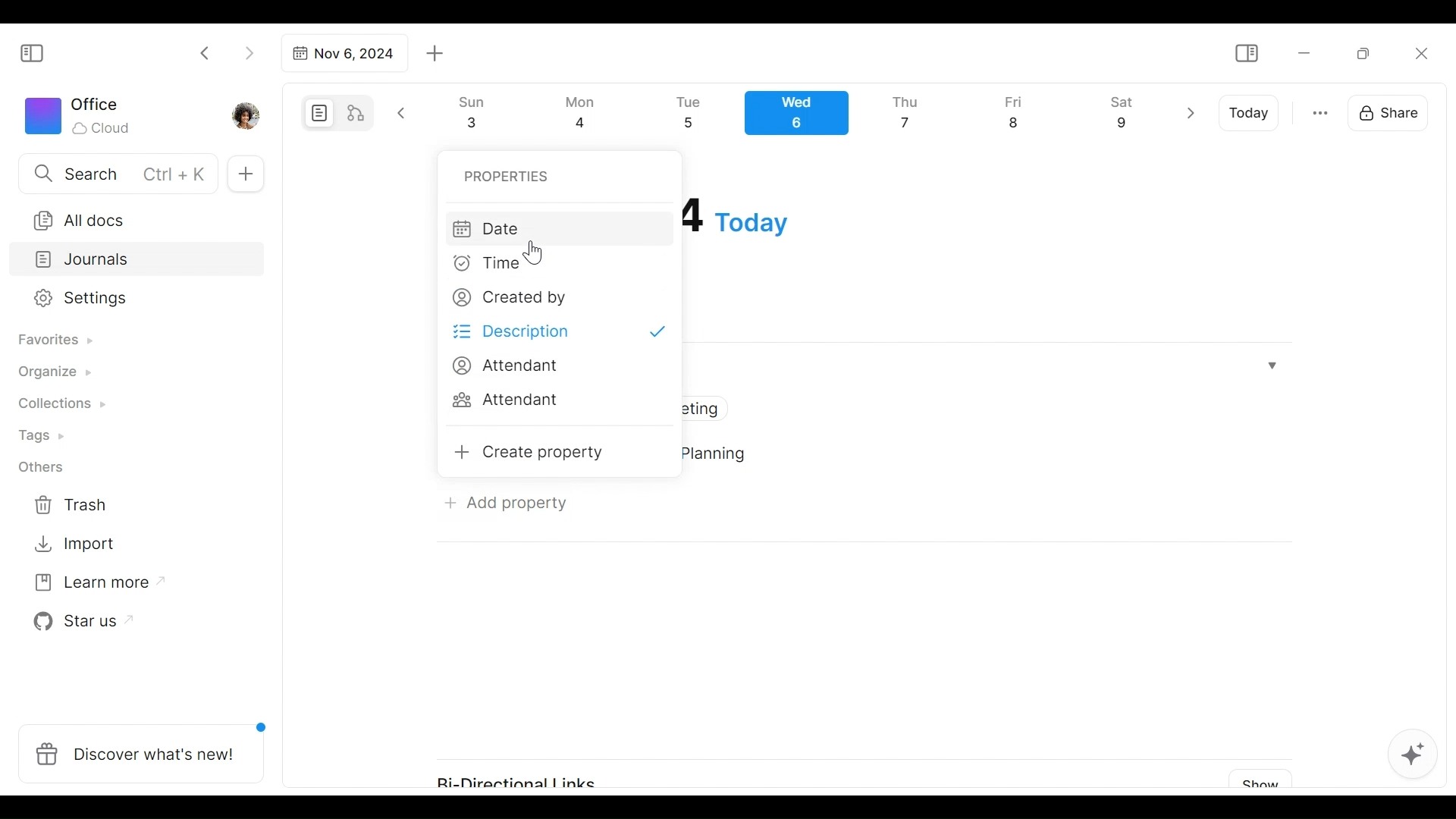 The width and height of the screenshot is (1456, 819). I want to click on Settings, so click(125, 299).